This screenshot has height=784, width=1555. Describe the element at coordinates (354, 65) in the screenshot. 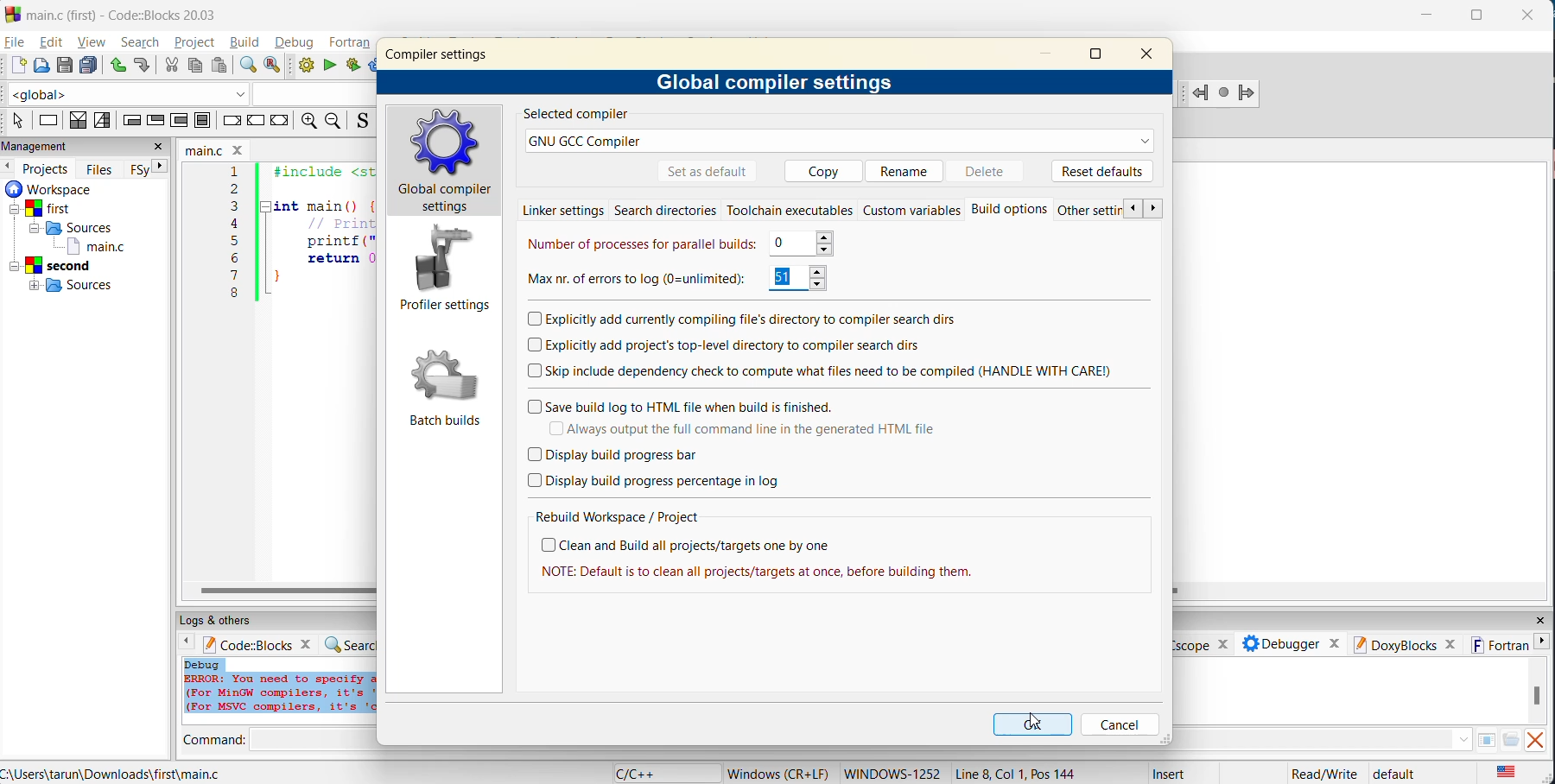

I see `build and run` at that location.